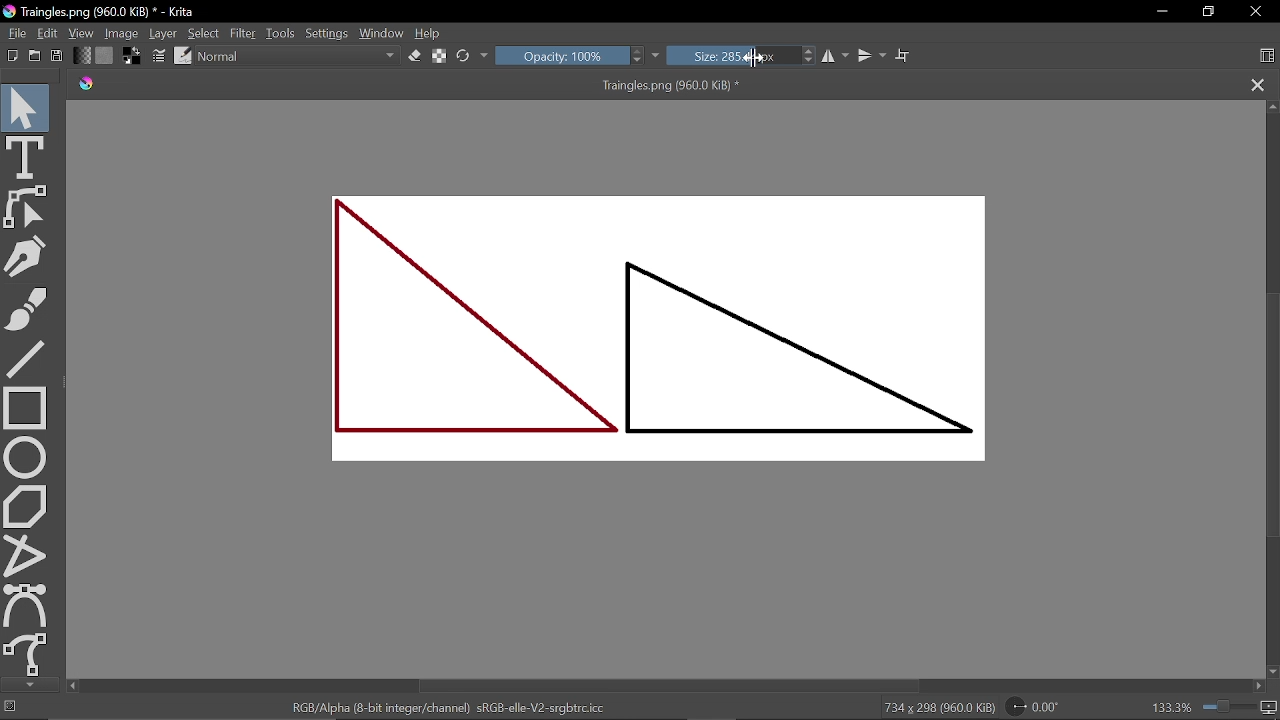 Image resolution: width=1280 pixels, height=720 pixels. What do you see at coordinates (30, 685) in the screenshot?
I see `Move down` at bounding box center [30, 685].